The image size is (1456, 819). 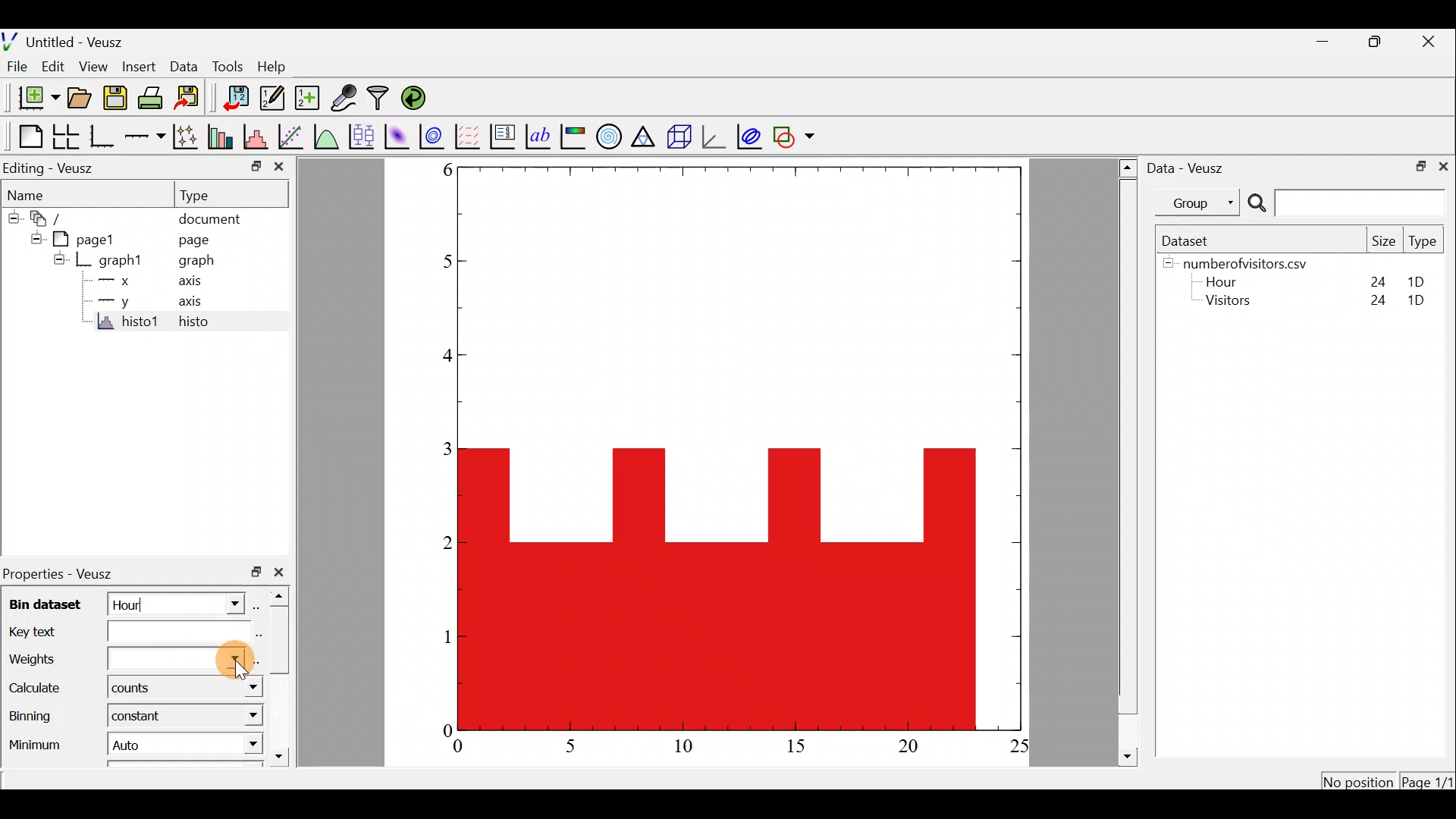 I want to click on page1, so click(x=90, y=240).